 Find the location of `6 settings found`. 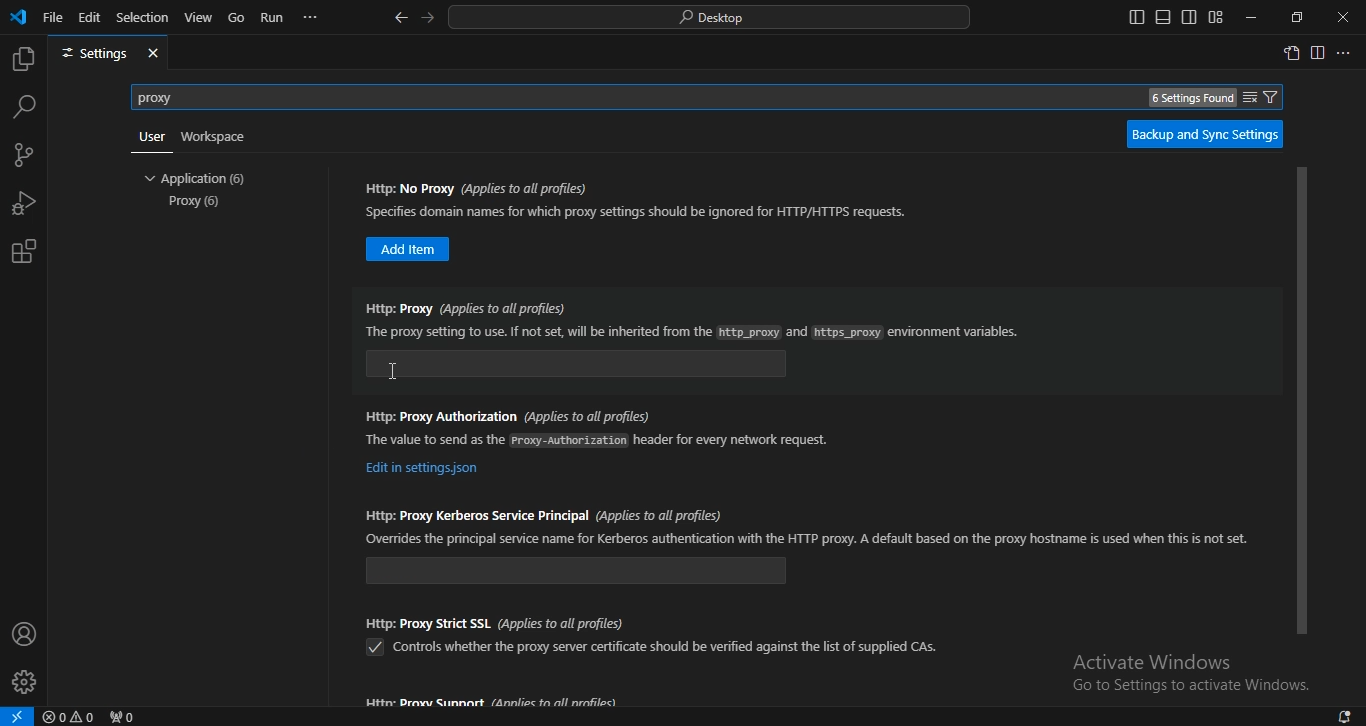

6 settings found is located at coordinates (1187, 100).